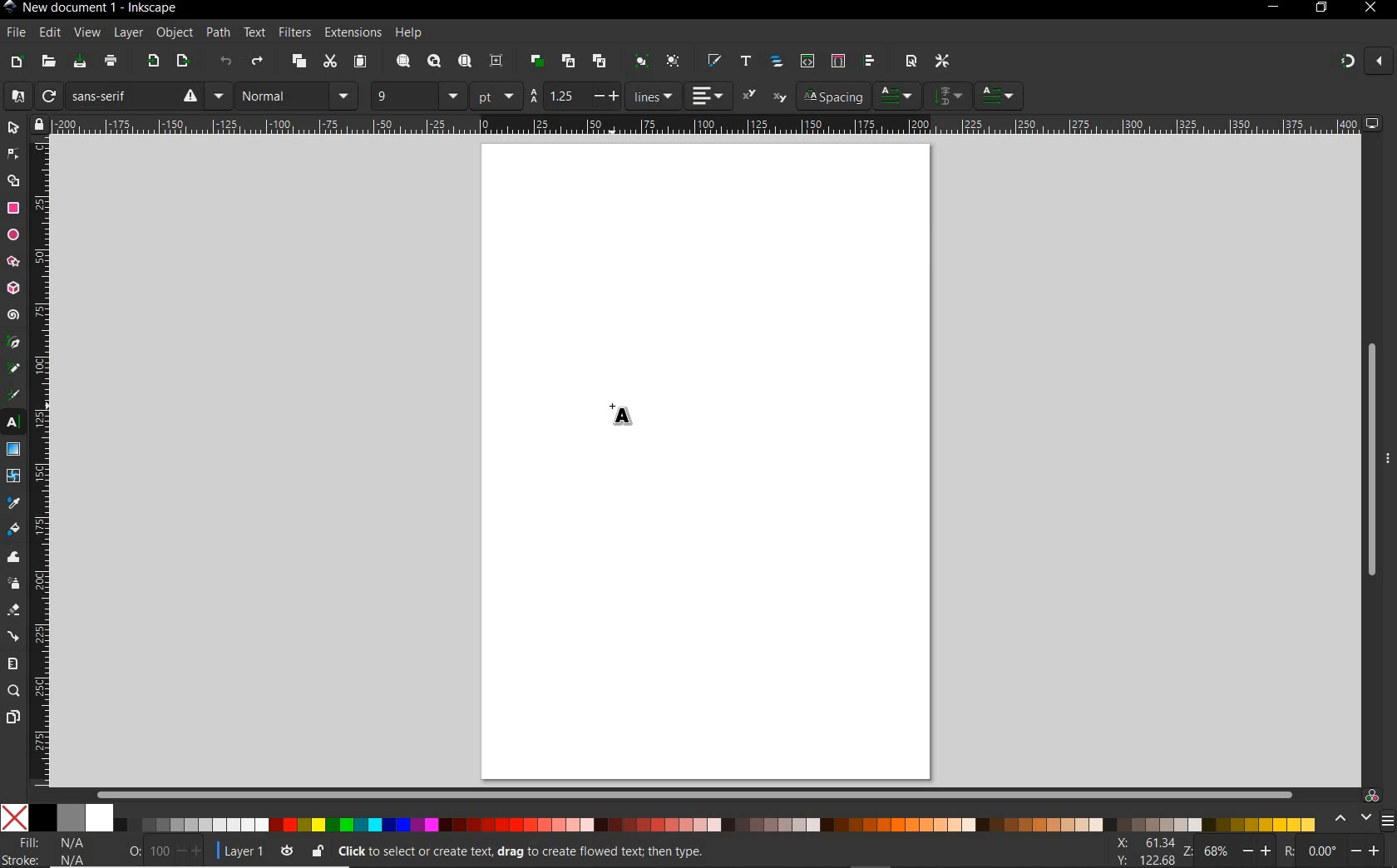 The height and width of the screenshot is (868, 1397). I want to click on zoom drawing, so click(435, 62).